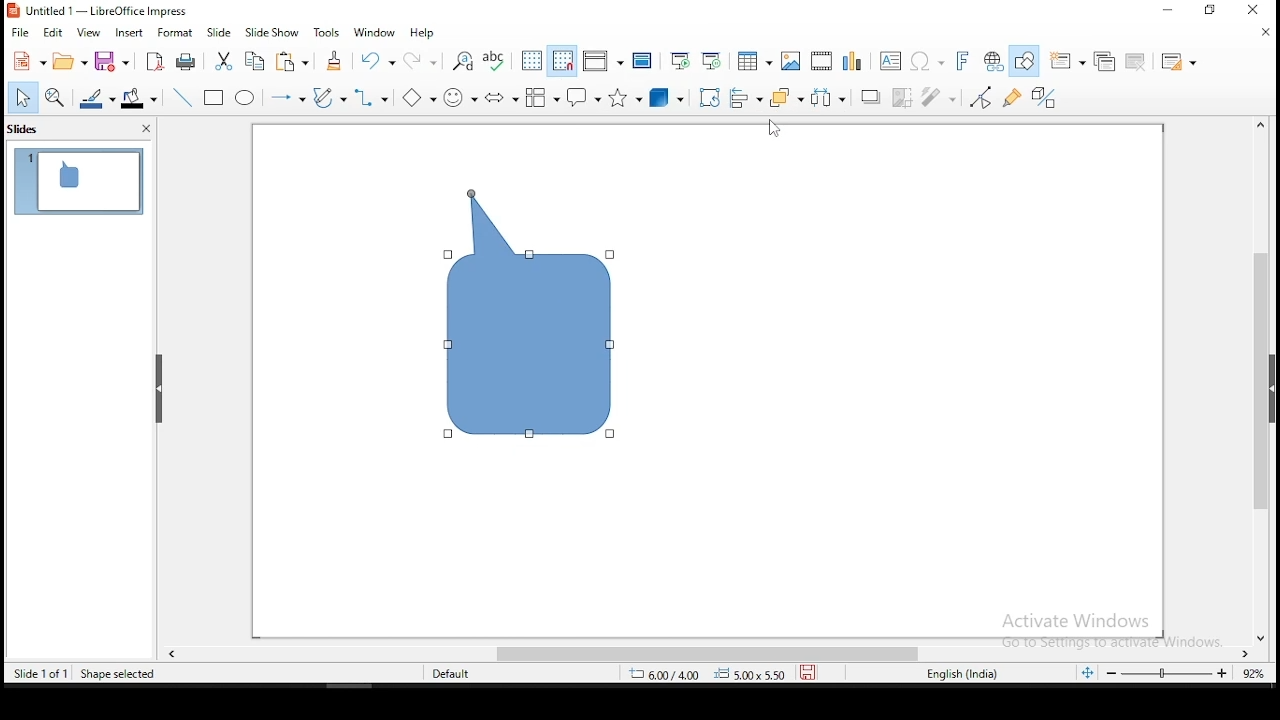 Image resolution: width=1280 pixels, height=720 pixels. What do you see at coordinates (293, 62) in the screenshot?
I see `paste` at bounding box center [293, 62].